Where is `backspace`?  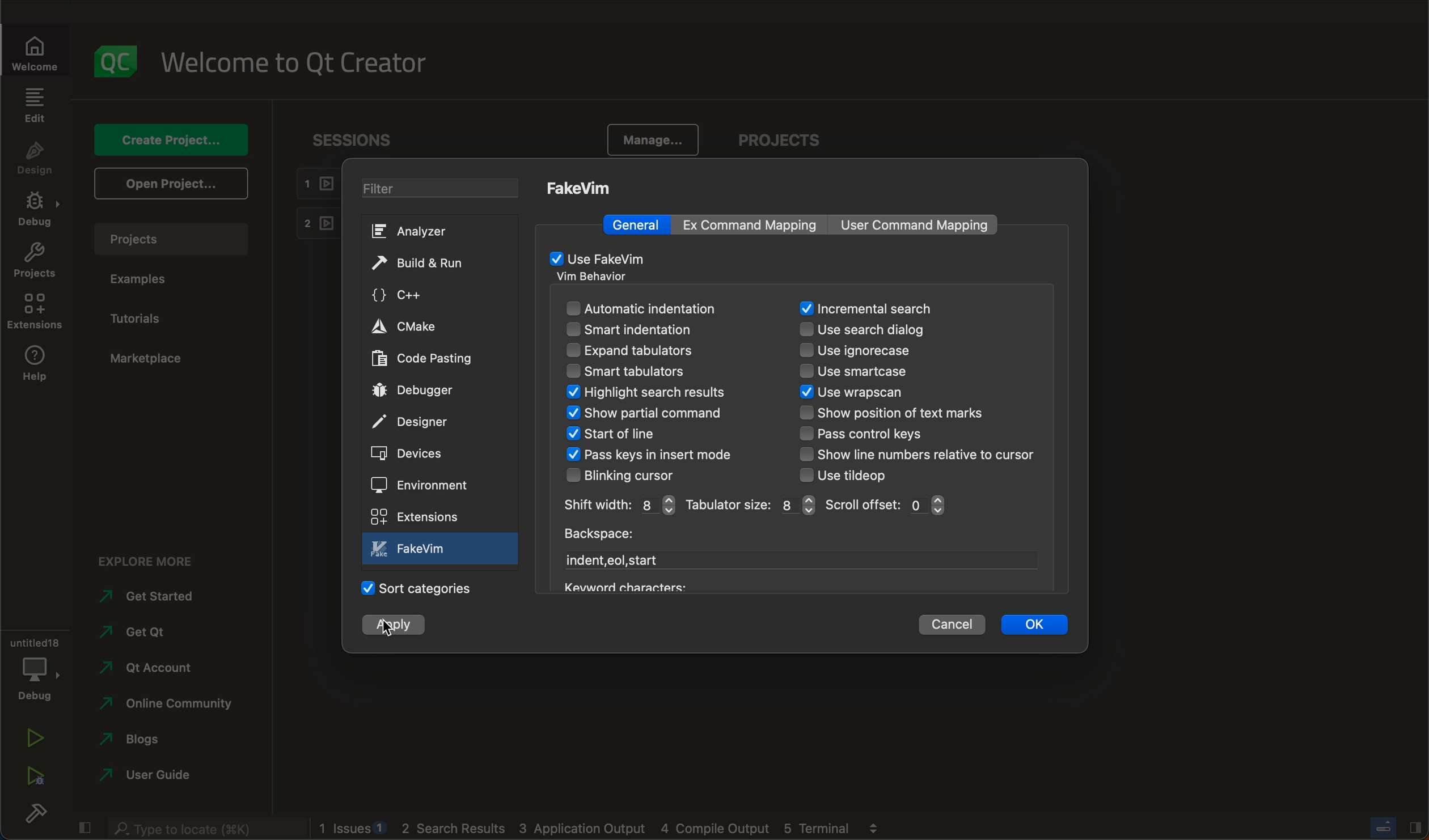 backspace is located at coordinates (597, 537).